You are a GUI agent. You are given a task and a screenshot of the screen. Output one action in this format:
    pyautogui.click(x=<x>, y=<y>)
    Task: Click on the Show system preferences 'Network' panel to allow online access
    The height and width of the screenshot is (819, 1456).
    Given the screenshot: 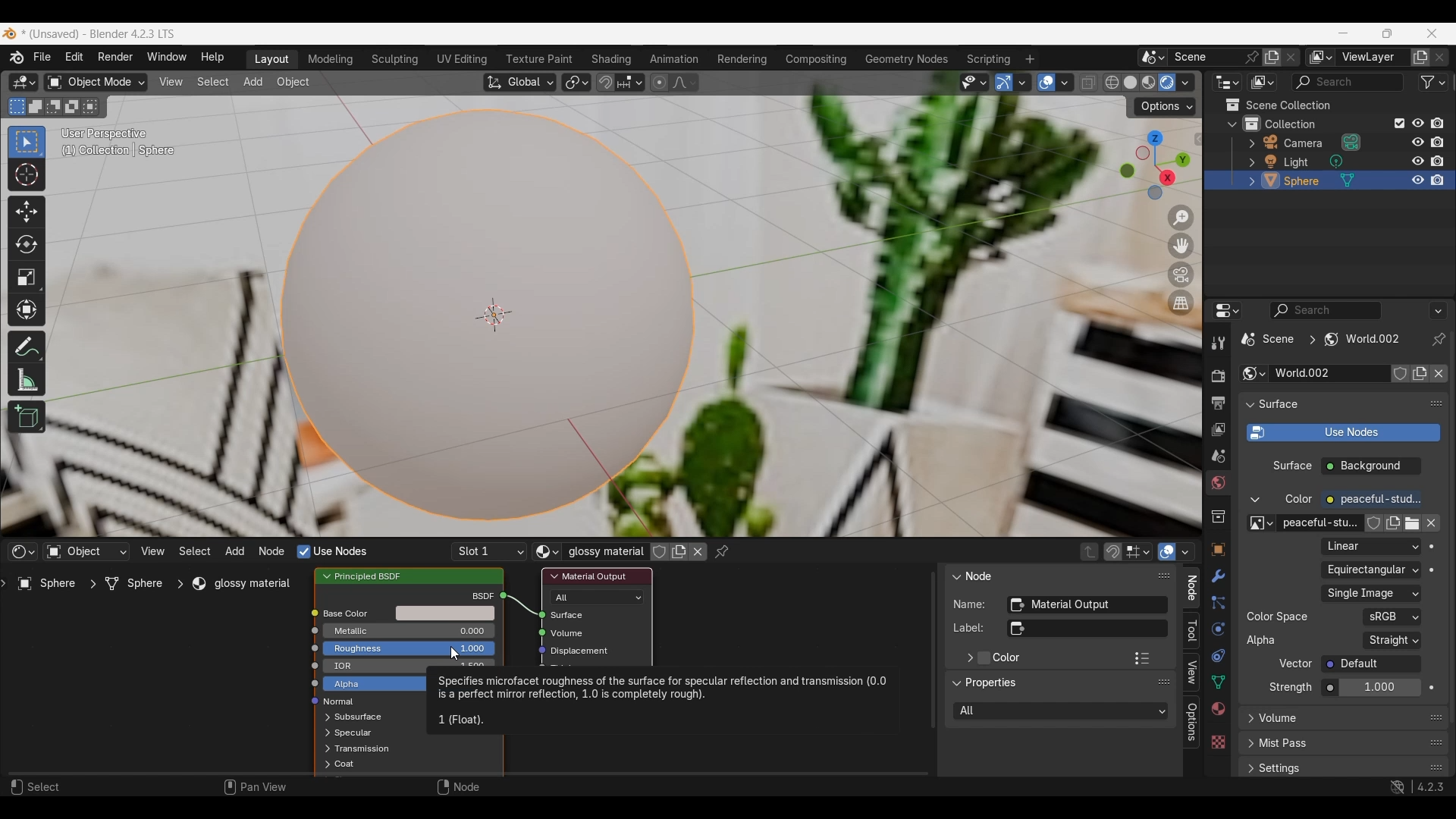 What is the action you would take?
    pyautogui.click(x=1398, y=787)
    